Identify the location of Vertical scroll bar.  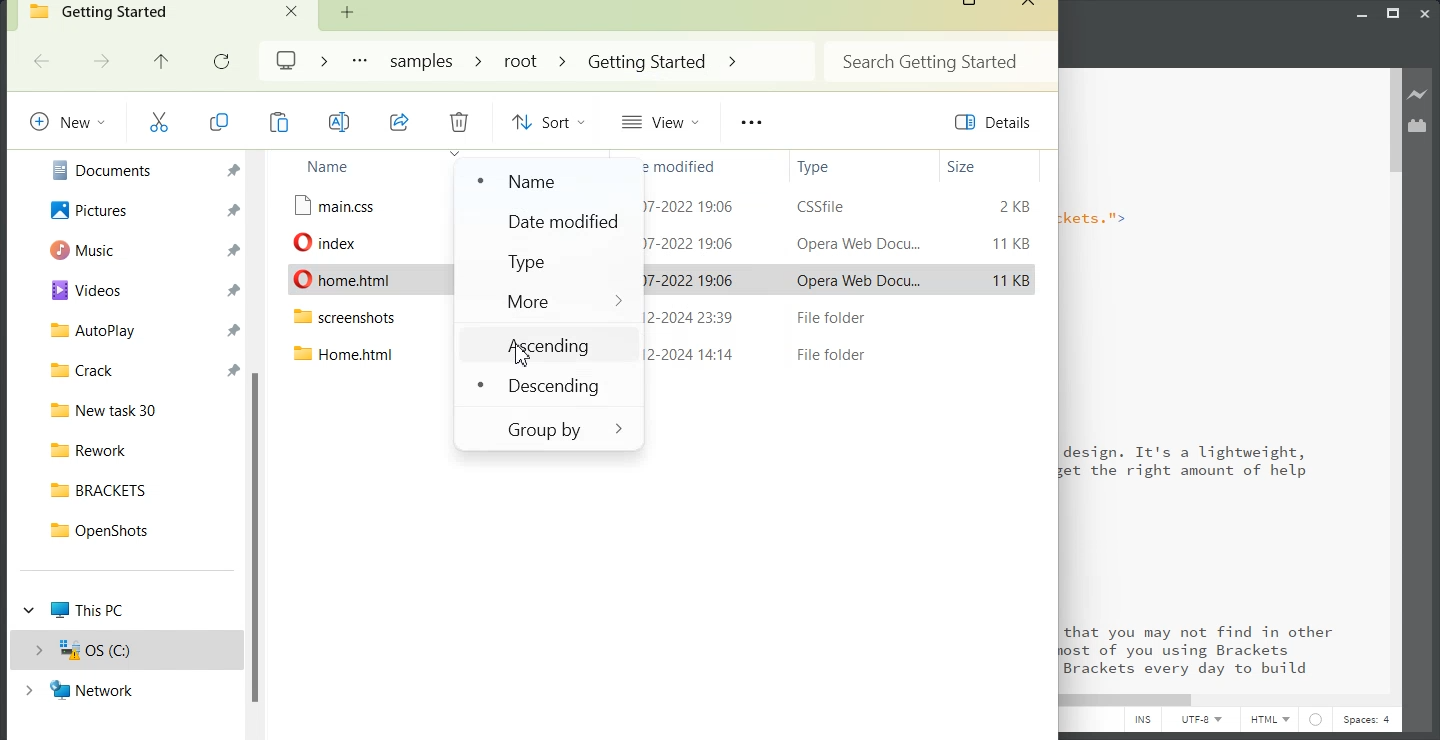
(257, 444).